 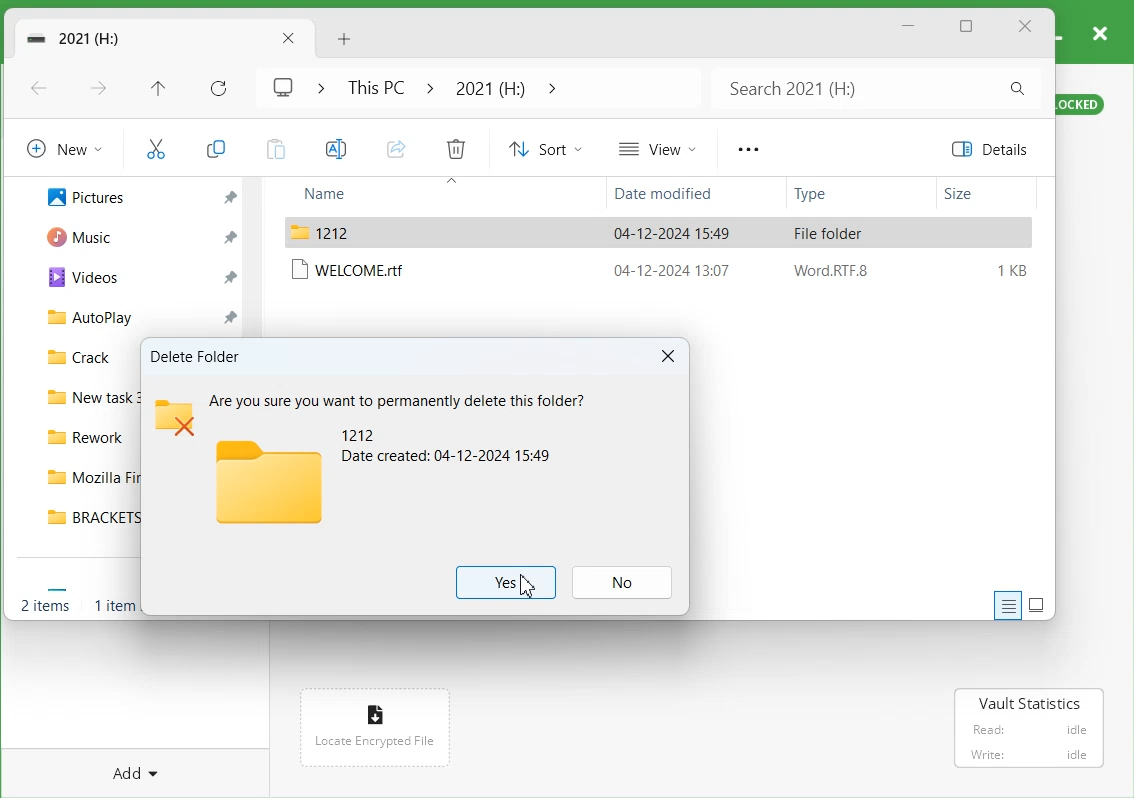 I want to click on 1212 Date created: 04-12-2024 15:49, so click(x=449, y=446).